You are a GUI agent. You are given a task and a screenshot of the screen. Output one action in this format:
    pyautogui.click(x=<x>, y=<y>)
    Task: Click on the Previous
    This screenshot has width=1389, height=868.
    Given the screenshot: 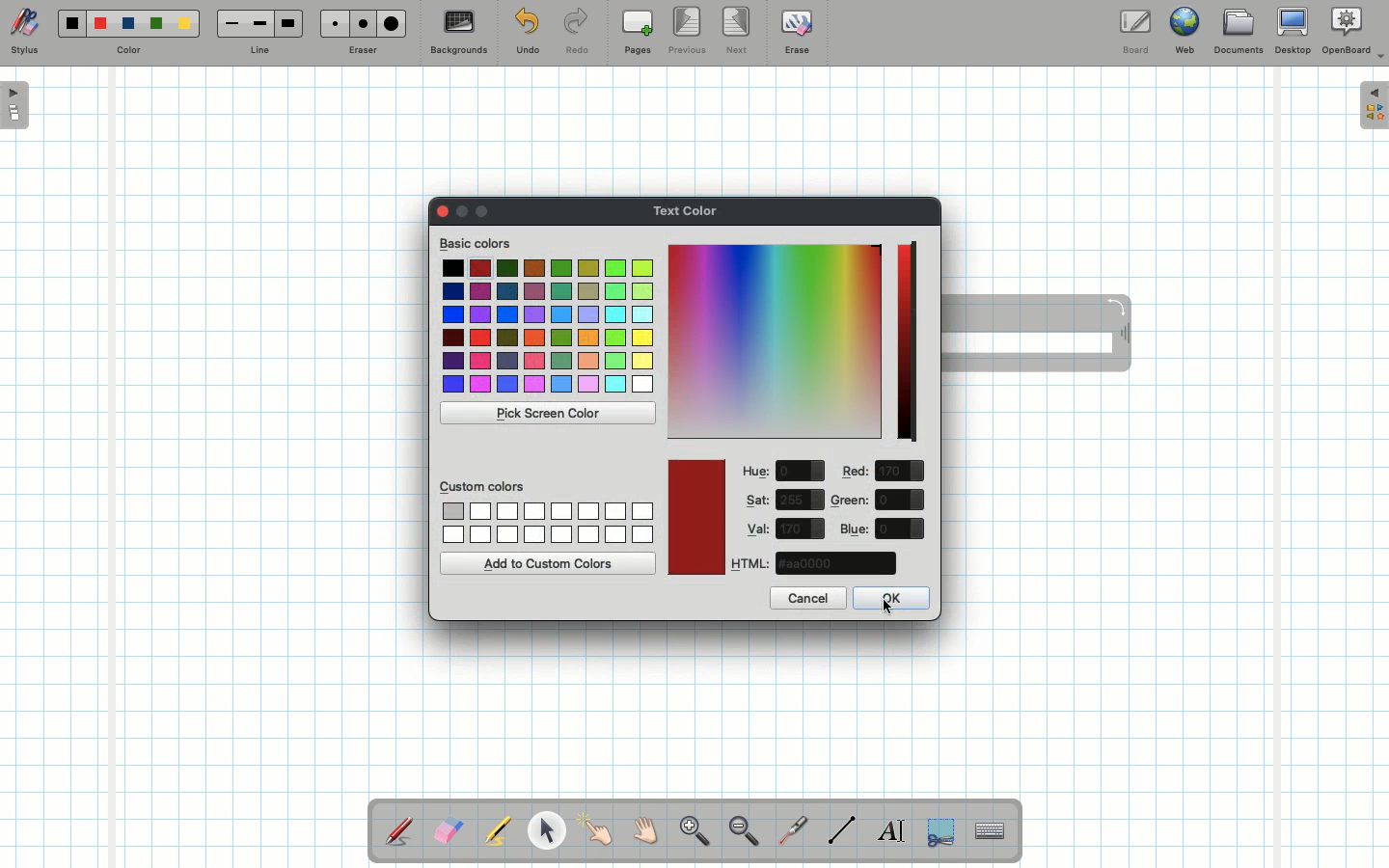 What is the action you would take?
    pyautogui.click(x=689, y=32)
    